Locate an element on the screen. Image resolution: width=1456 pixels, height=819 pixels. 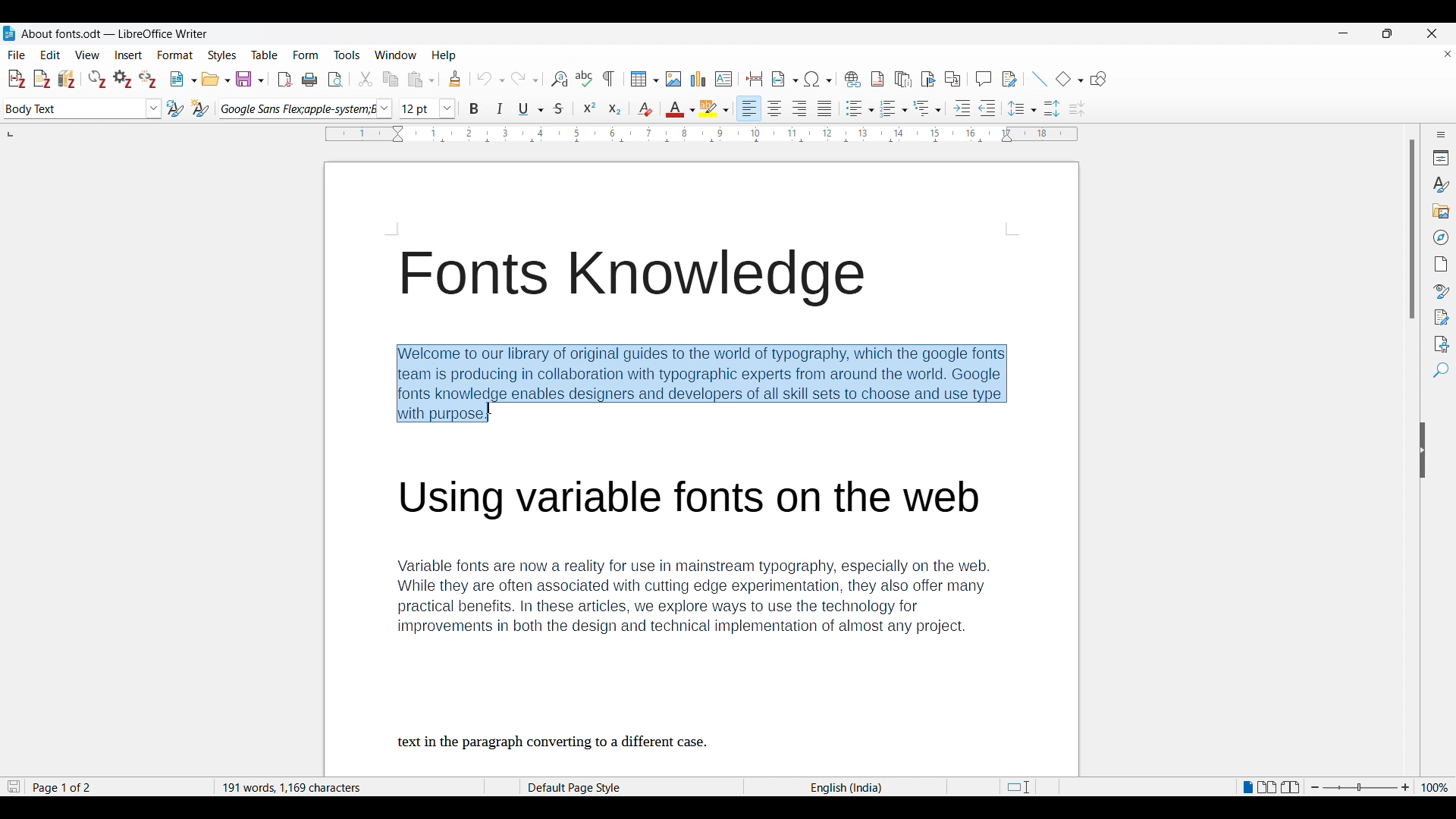
Add note is located at coordinates (42, 80).